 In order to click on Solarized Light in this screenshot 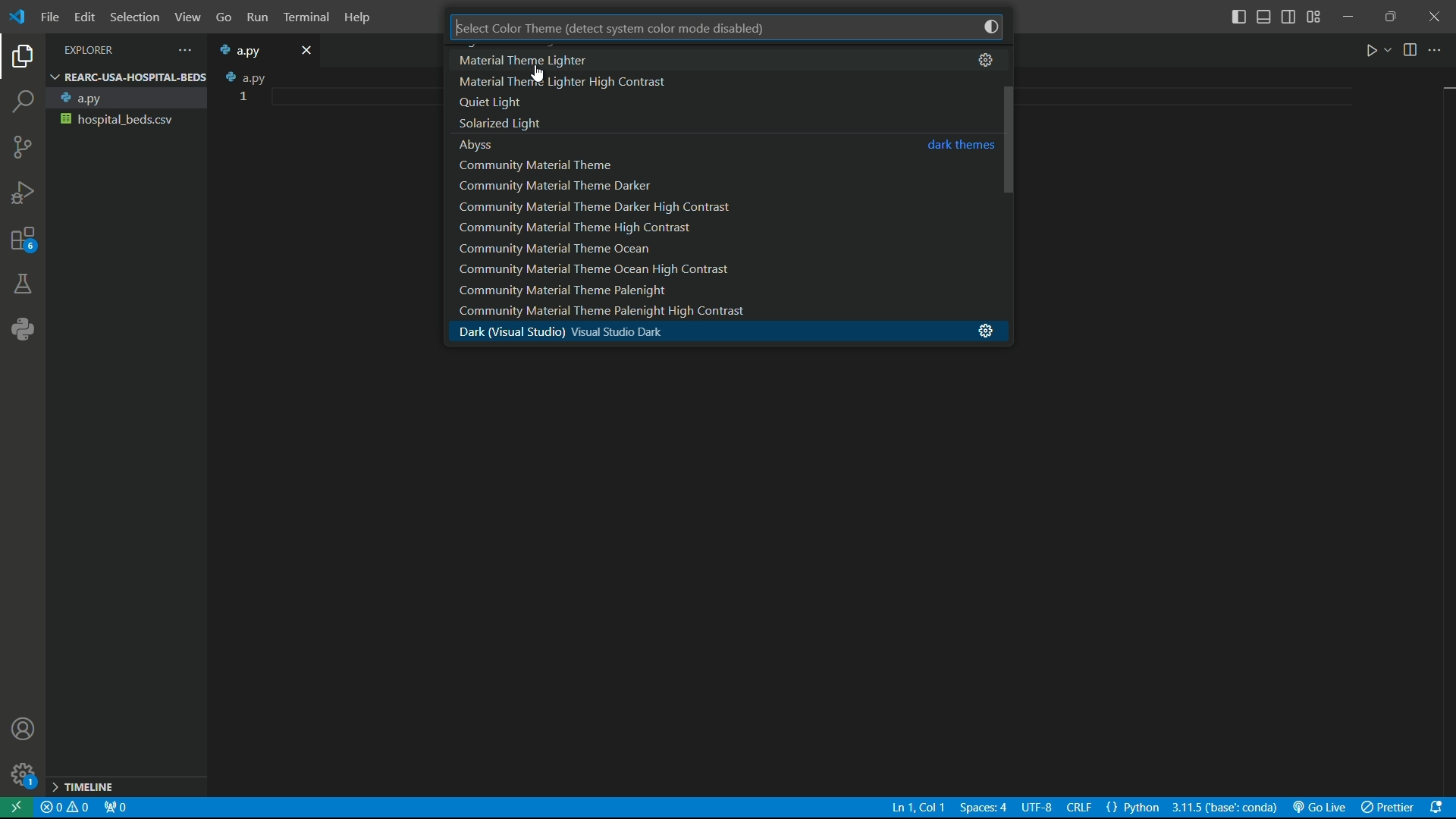, I will do `click(513, 124)`.